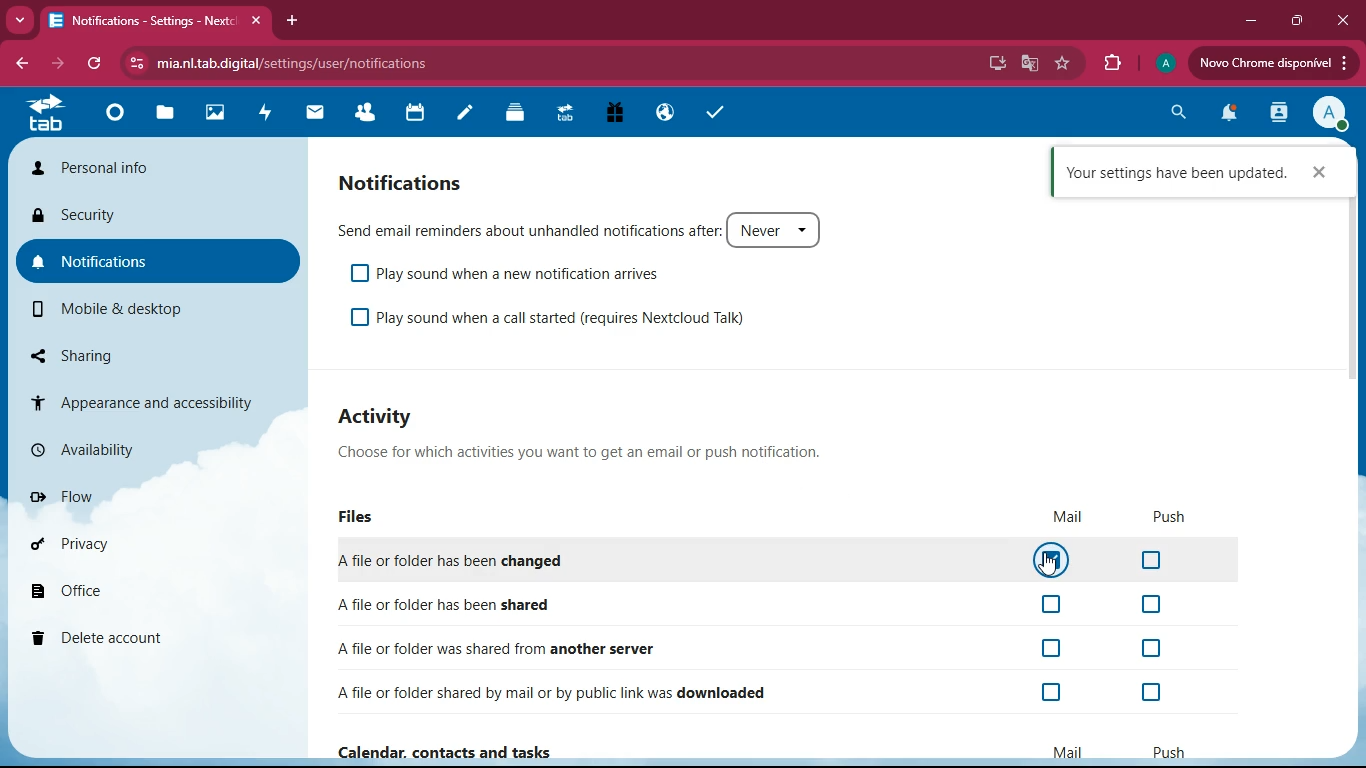  Describe the element at coordinates (1070, 753) in the screenshot. I see `mail` at that location.